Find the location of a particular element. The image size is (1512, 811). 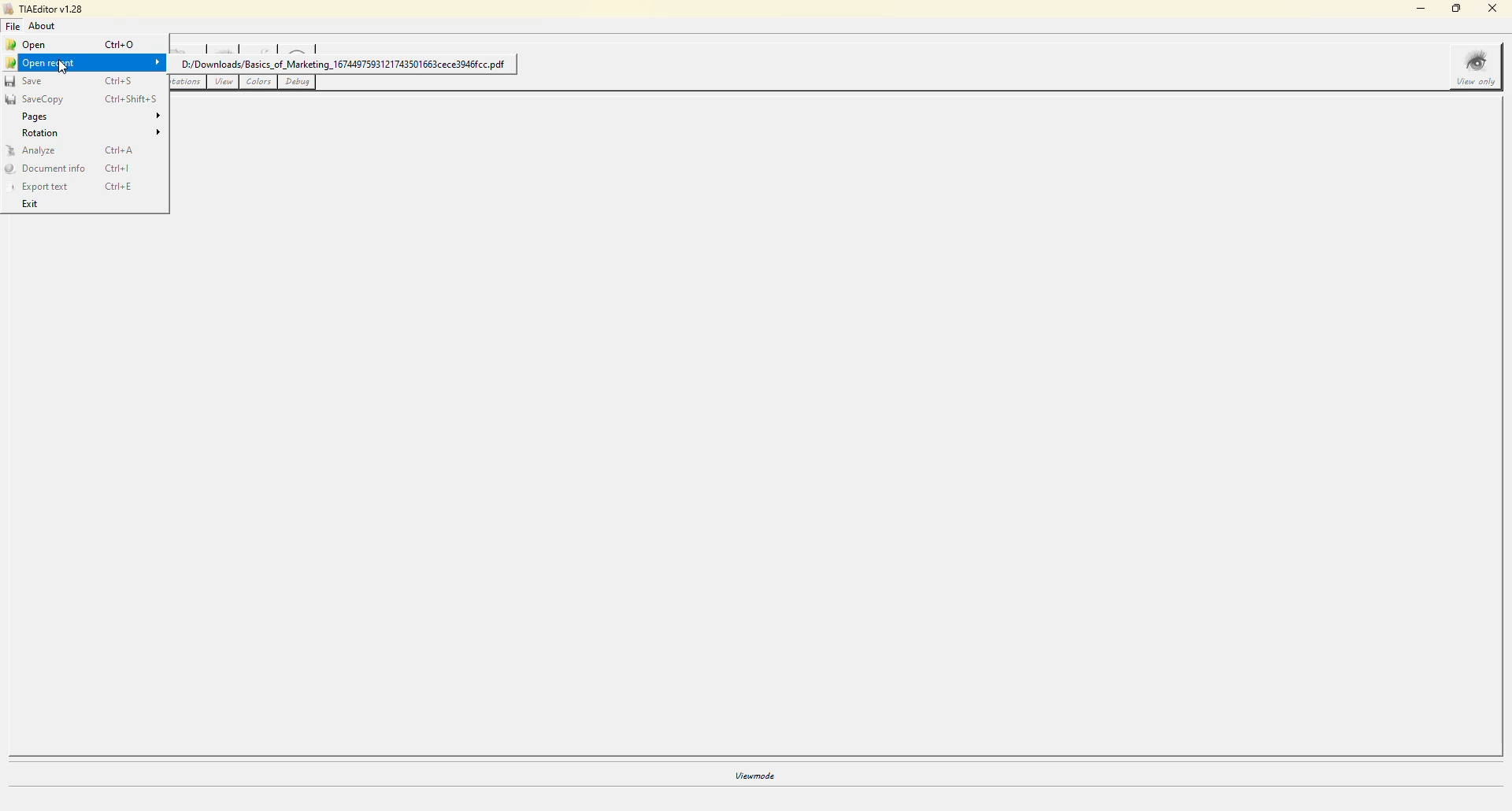

analyze is located at coordinates (34, 151).